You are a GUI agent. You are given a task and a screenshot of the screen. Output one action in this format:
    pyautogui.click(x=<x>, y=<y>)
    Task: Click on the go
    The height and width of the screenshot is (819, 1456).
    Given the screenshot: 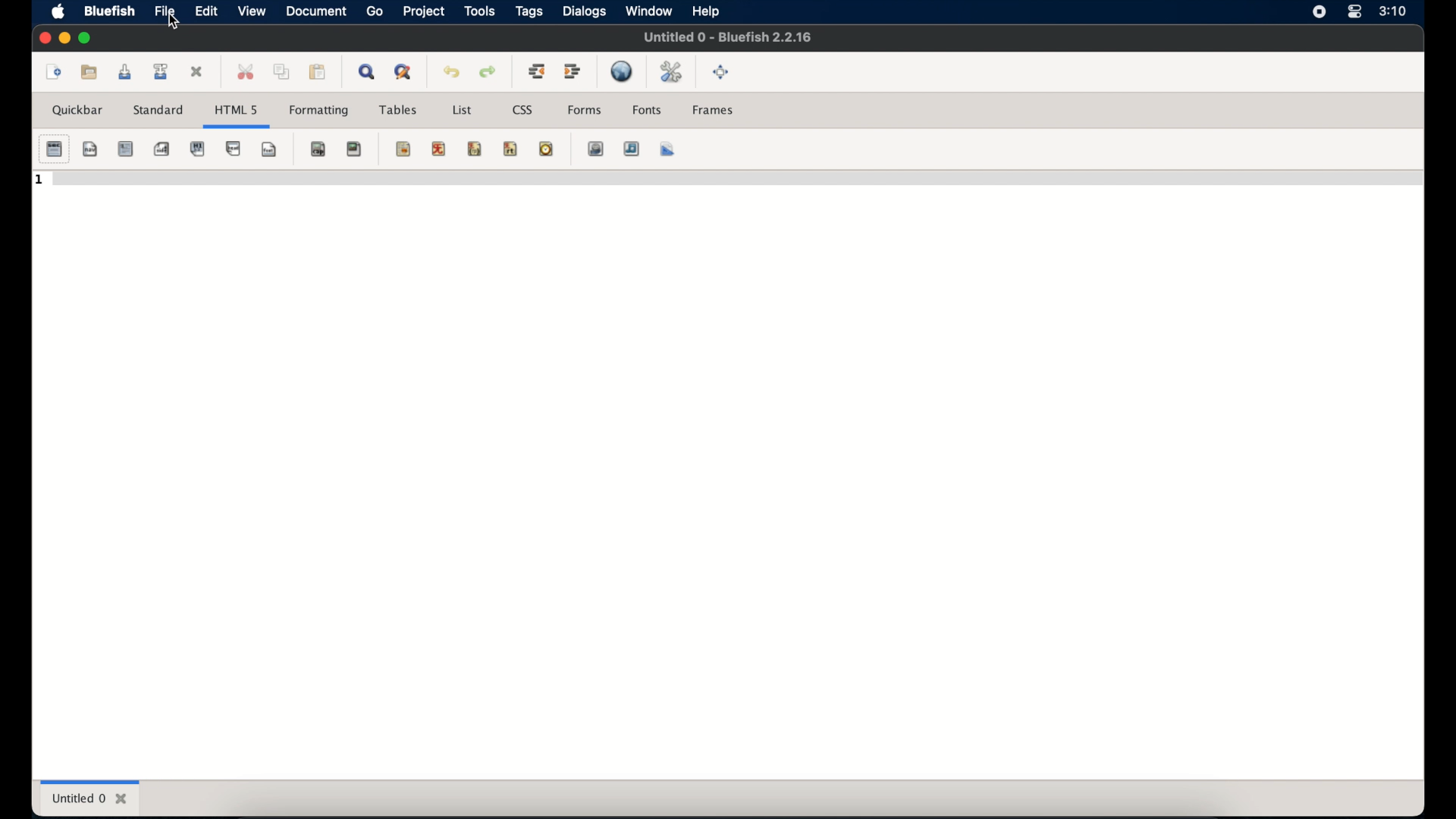 What is the action you would take?
    pyautogui.click(x=375, y=12)
    